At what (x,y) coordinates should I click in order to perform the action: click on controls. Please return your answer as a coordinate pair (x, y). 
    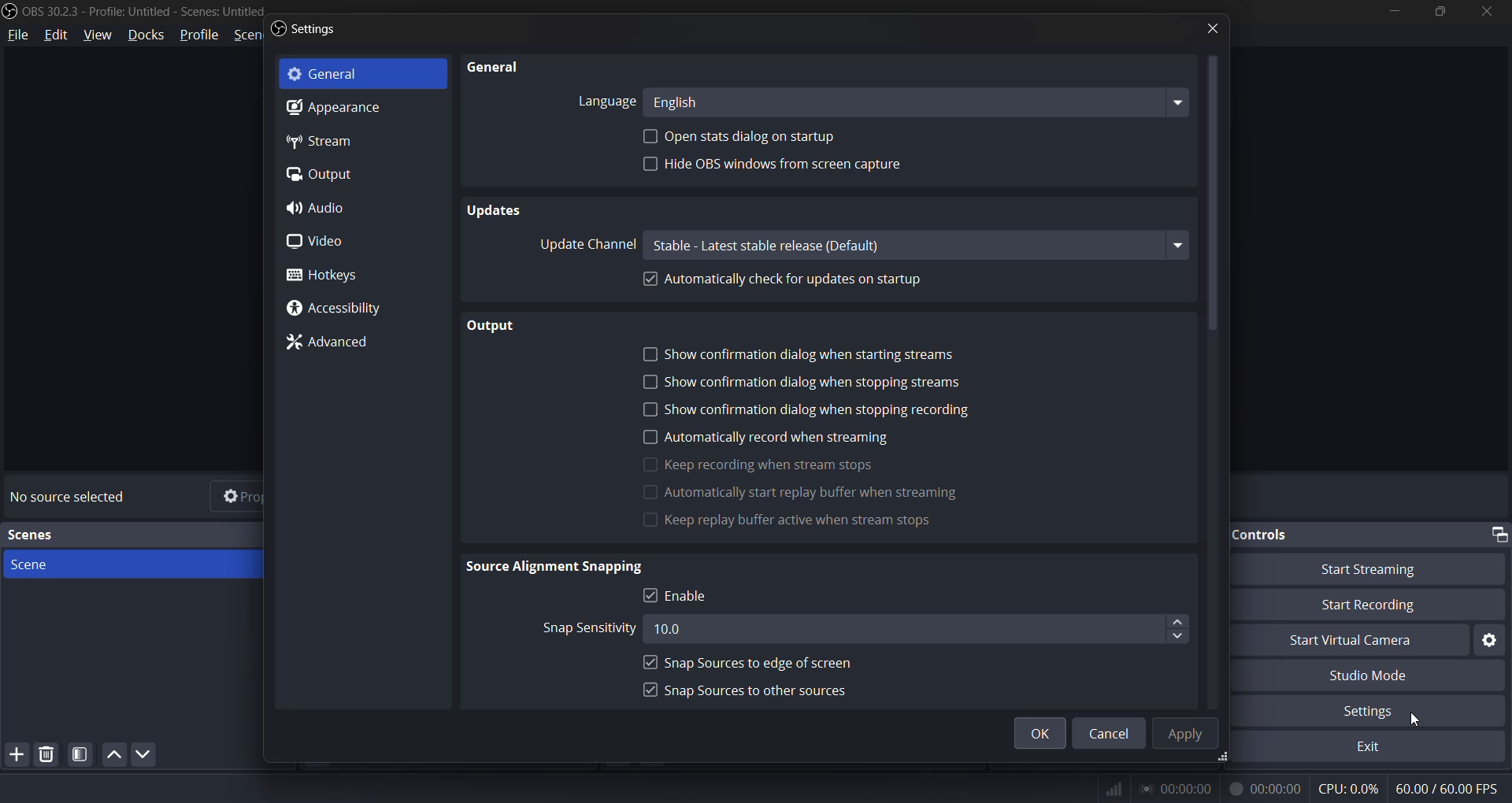
    Looking at the image, I should click on (1356, 535).